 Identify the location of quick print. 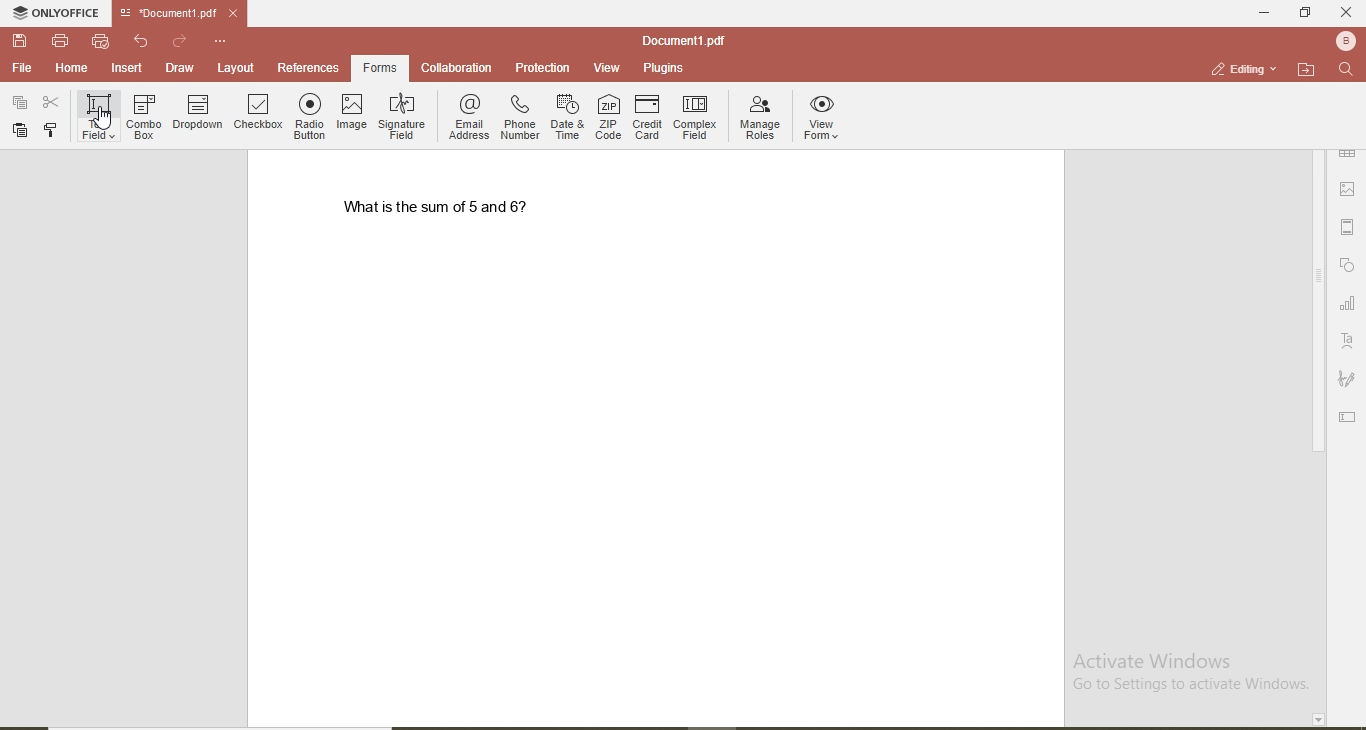
(100, 42).